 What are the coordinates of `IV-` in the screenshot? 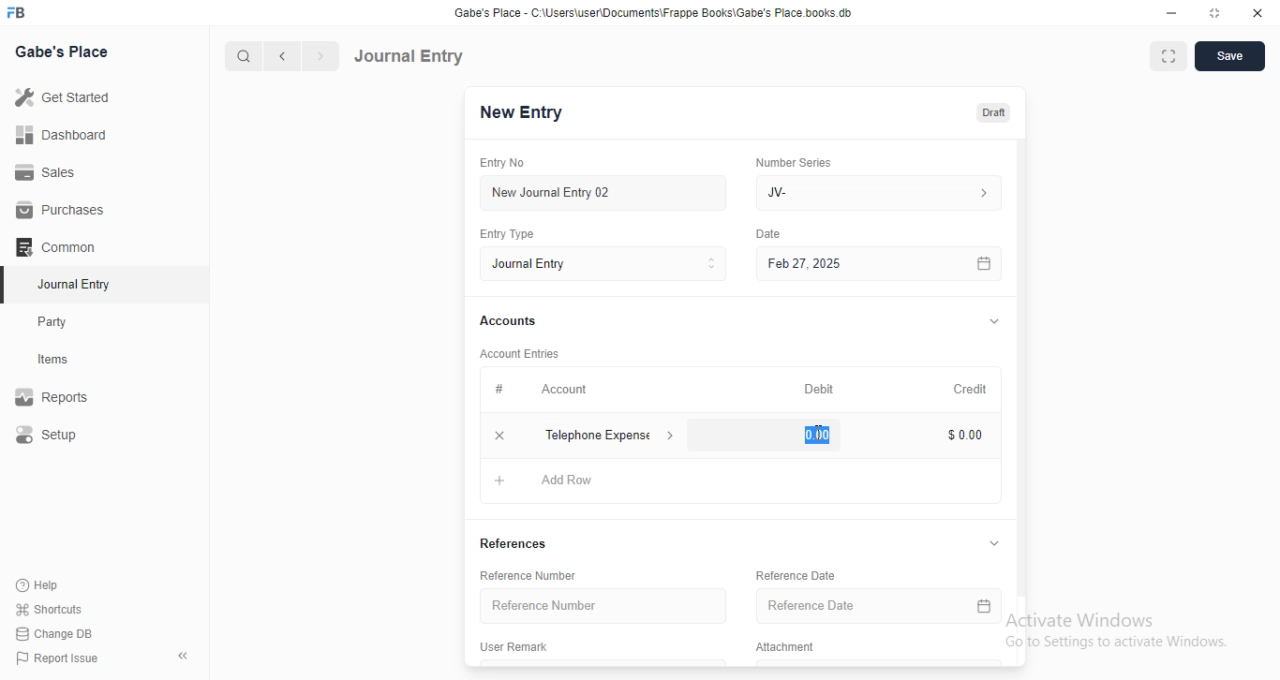 It's located at (877, 192).